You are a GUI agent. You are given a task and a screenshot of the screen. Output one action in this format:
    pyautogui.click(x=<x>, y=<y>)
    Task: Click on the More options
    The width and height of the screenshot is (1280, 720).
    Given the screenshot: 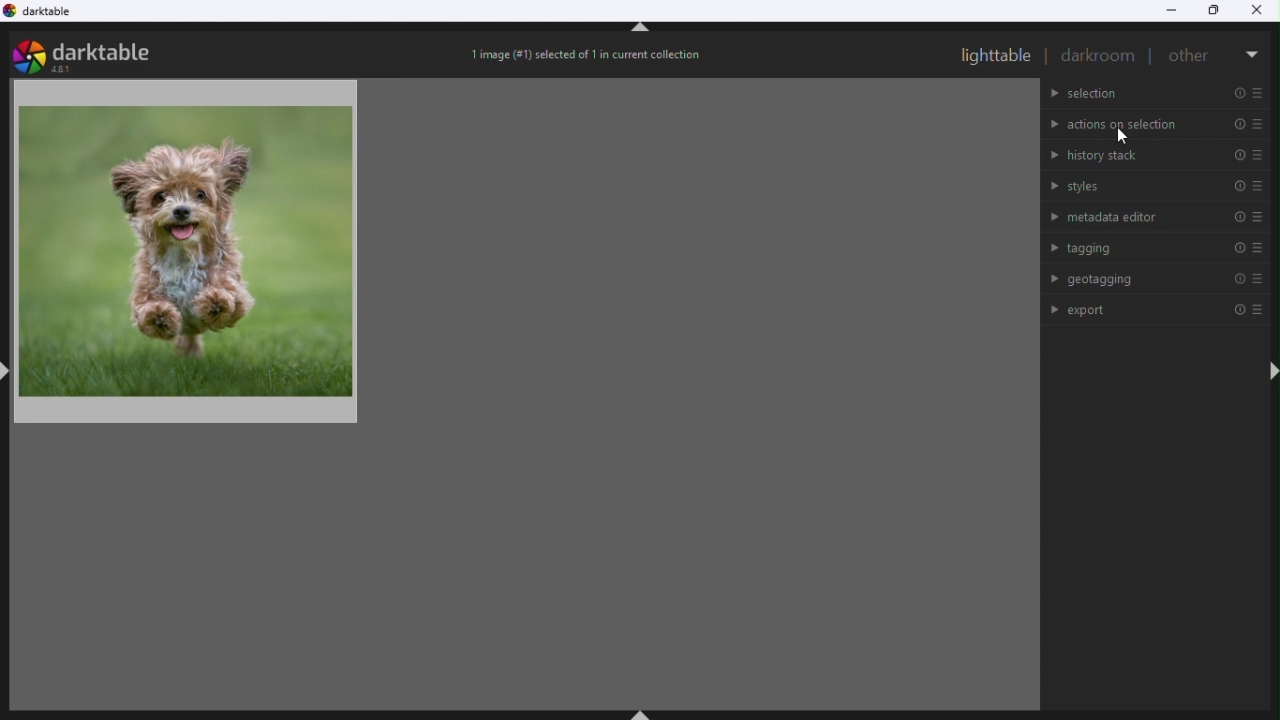 What is the action you would take?
    pyautogui.click(x=1253, y=50)
    